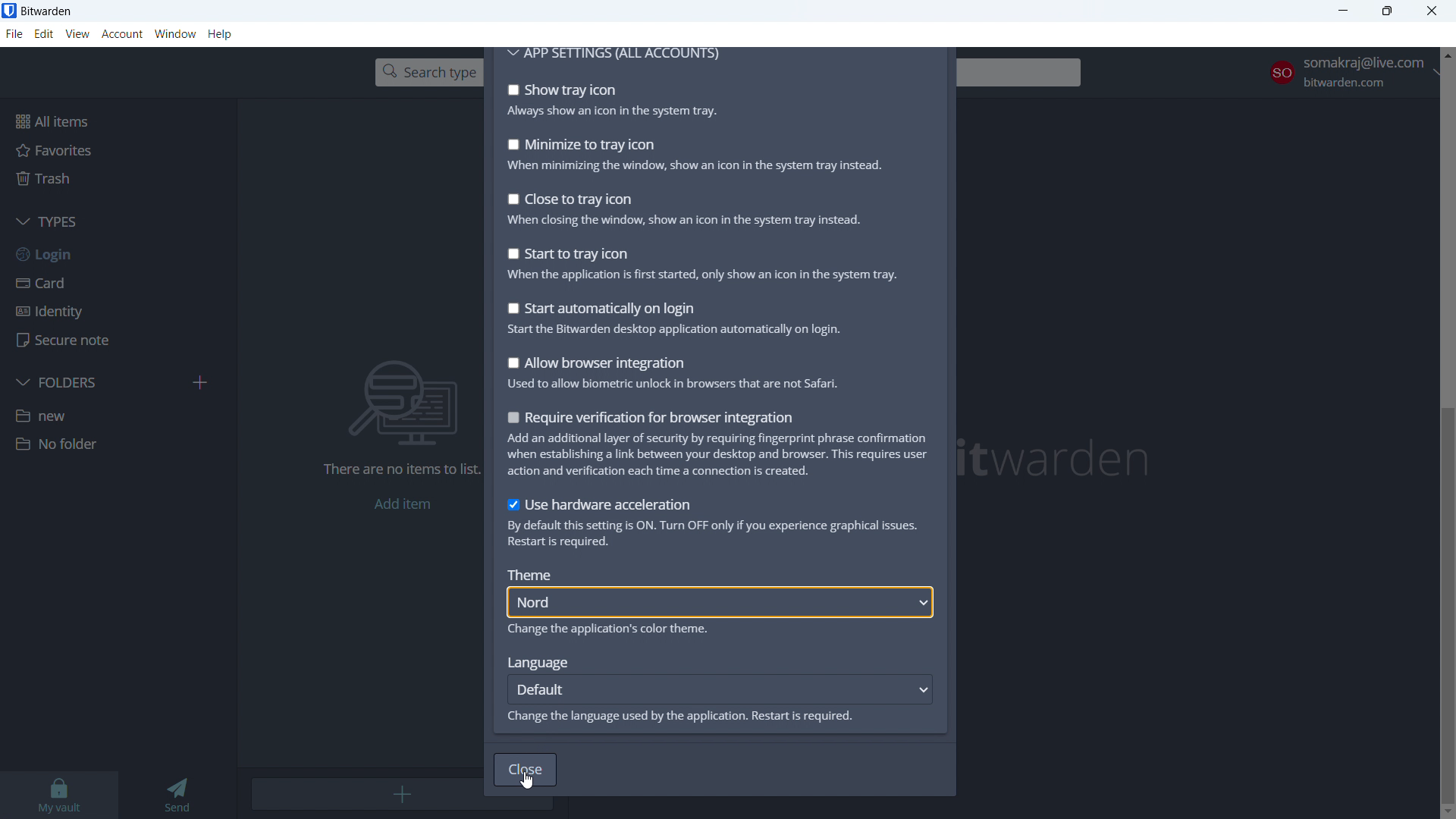  What do you see at coordinates (119, 283) in the screenshot?
I see `card` at bounding box center [119, 283].